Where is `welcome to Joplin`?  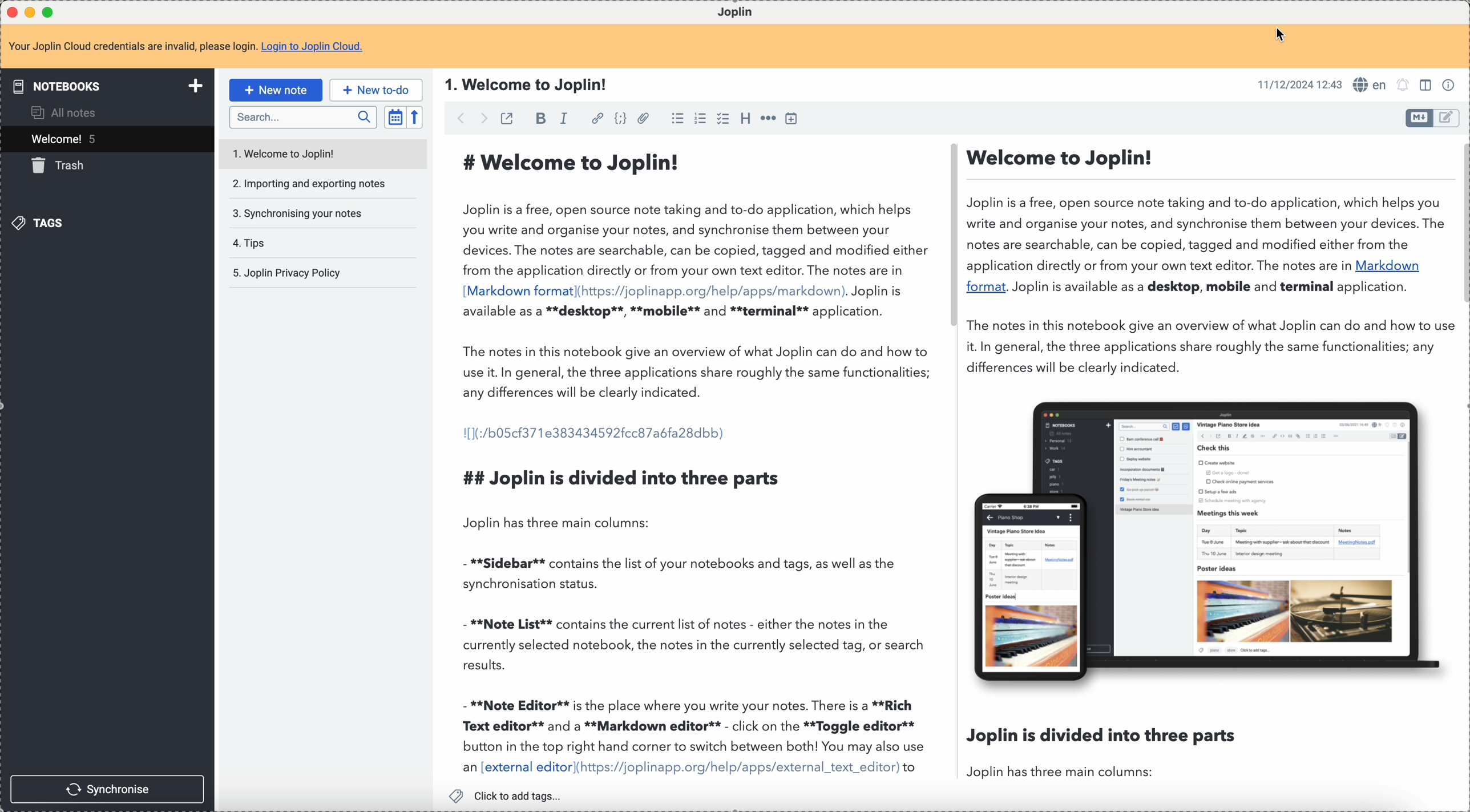
welcome to Joplin is located at coordinates (286, 151).